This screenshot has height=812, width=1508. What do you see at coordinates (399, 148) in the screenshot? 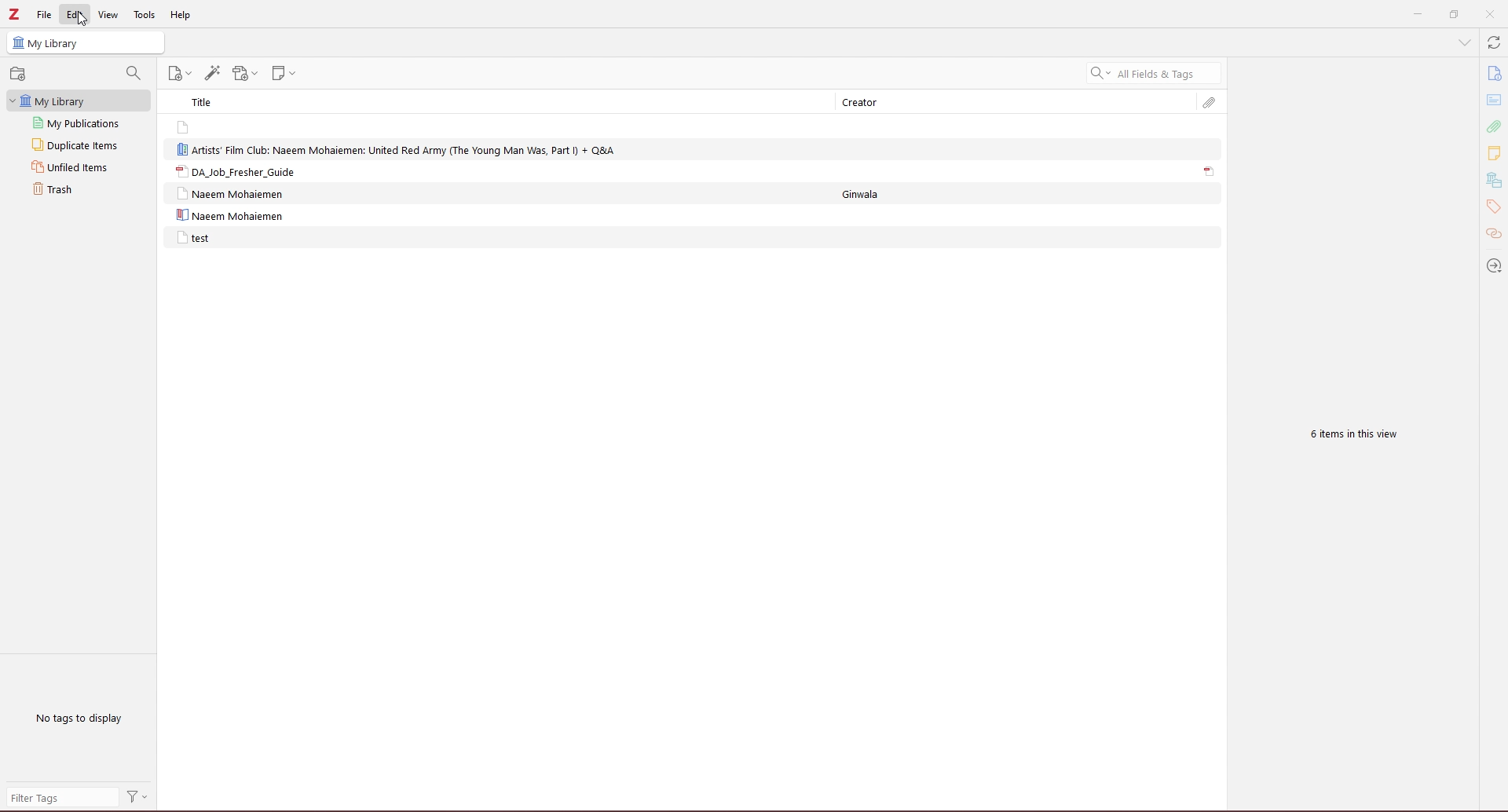
I see `Artists’ Film Club: Naeem Mohaiemen: United Red Army (The Young Man Was, Part I) + Q&A` at bounding box center [399, 148].